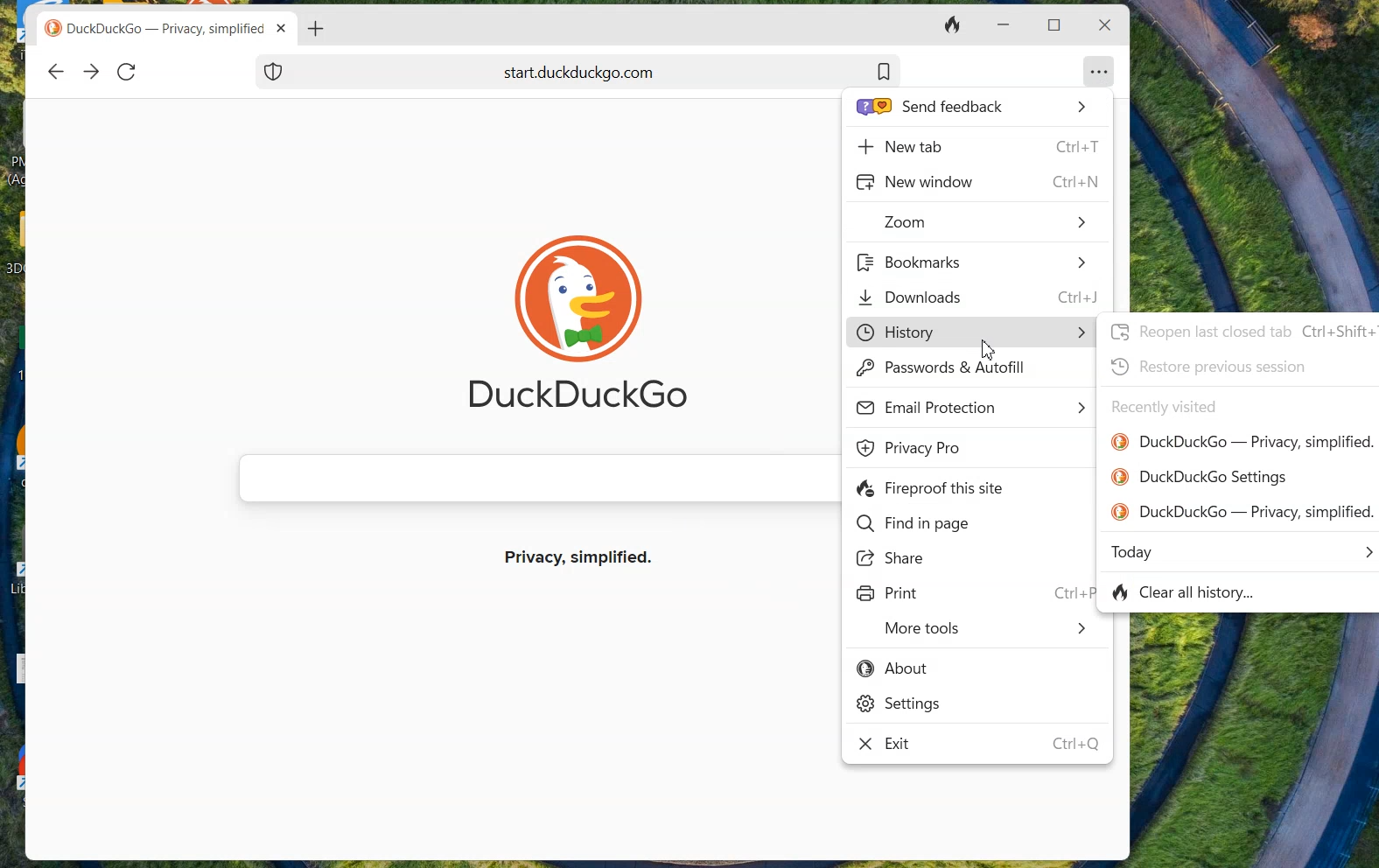 The width and height of the screenshot is (1379, 868). I want to click on Downloads, so click(979, 296).